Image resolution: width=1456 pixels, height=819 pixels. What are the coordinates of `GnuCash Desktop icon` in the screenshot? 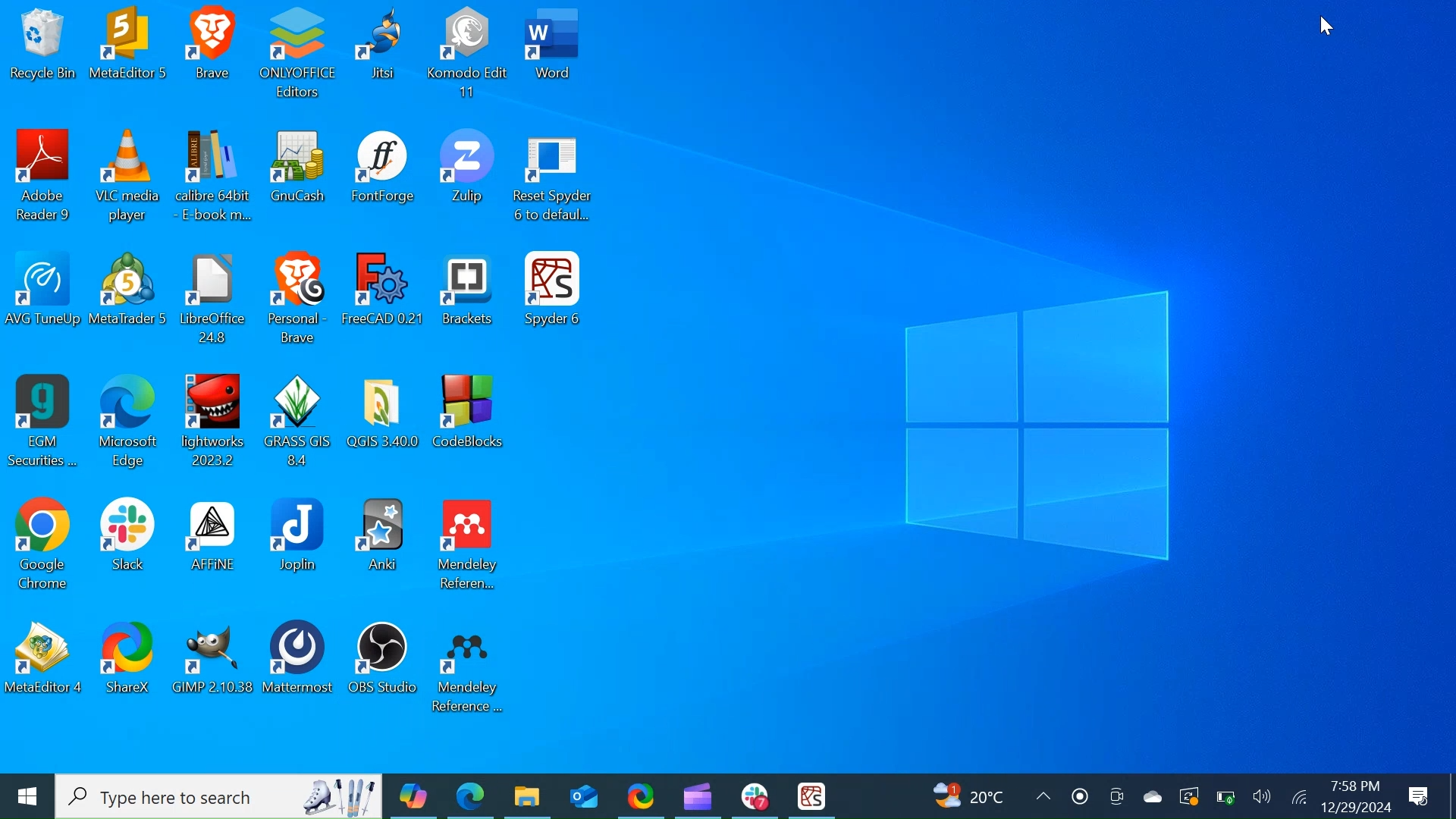 It's located at (301, 178).